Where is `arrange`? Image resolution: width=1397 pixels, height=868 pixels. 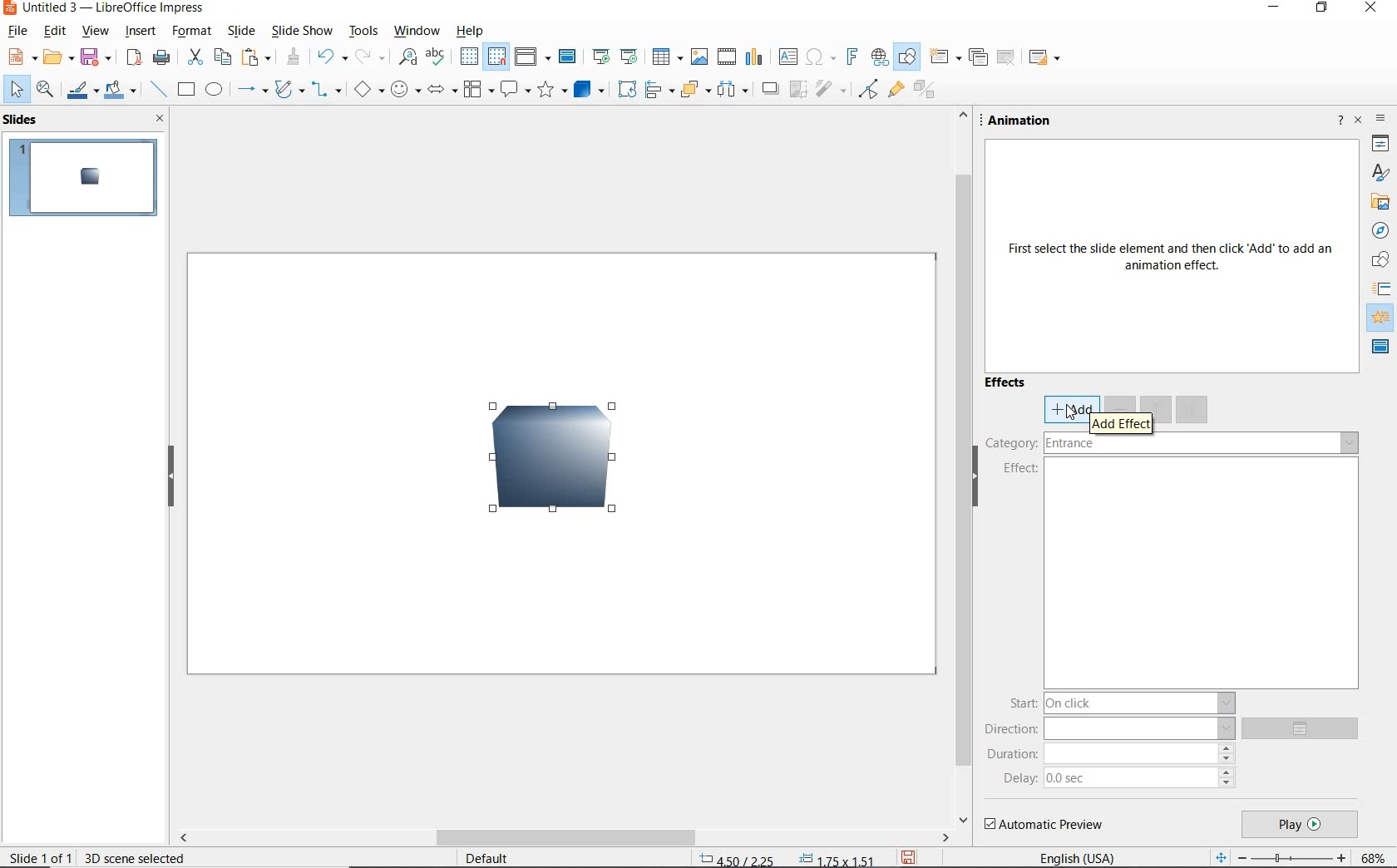 arrange is located at coordinates (695, 89).